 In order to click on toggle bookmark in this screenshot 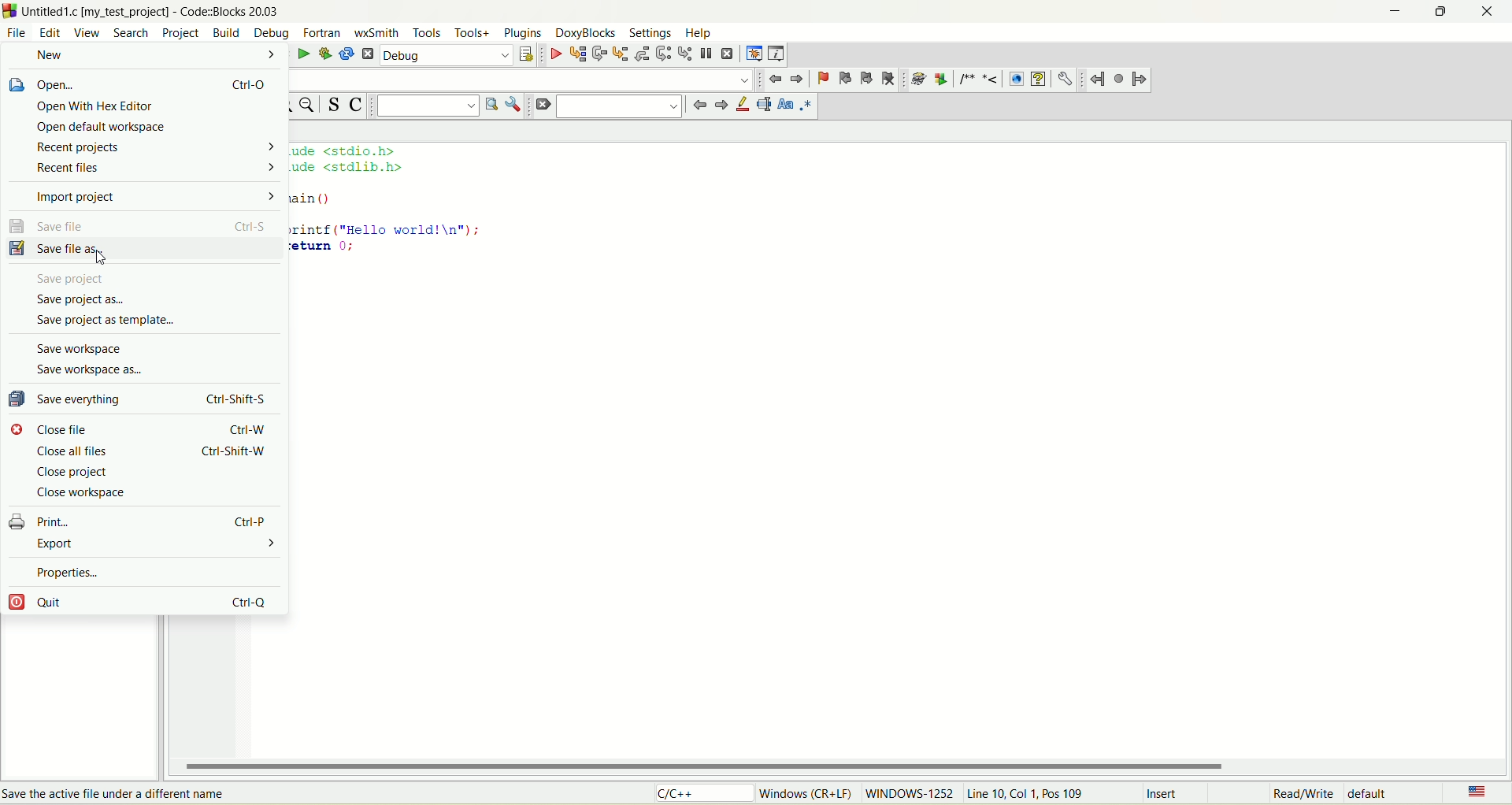, I will do `click(821, 79)`.